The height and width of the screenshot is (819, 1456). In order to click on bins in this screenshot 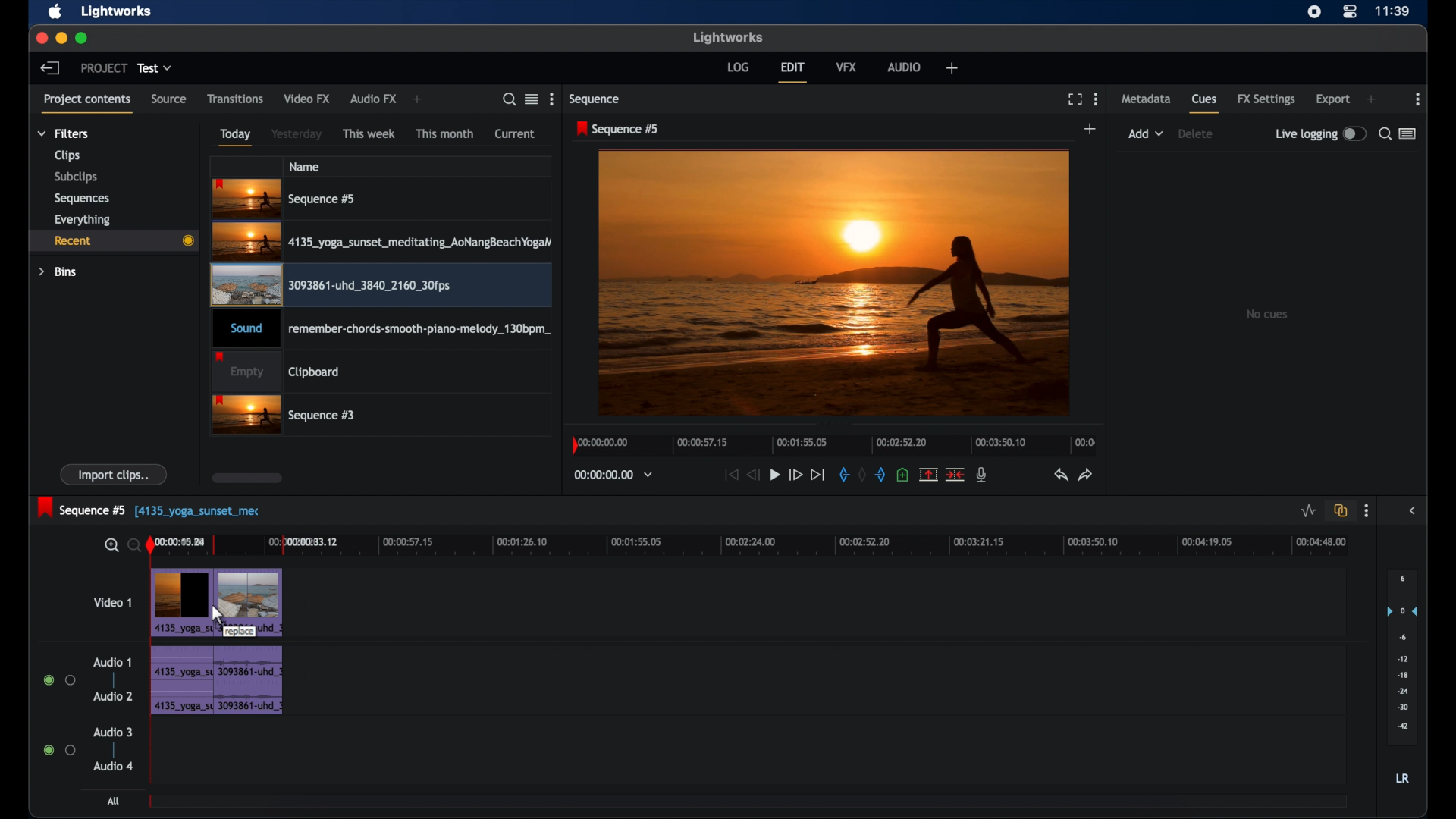, I will do `click(59, 273)`.